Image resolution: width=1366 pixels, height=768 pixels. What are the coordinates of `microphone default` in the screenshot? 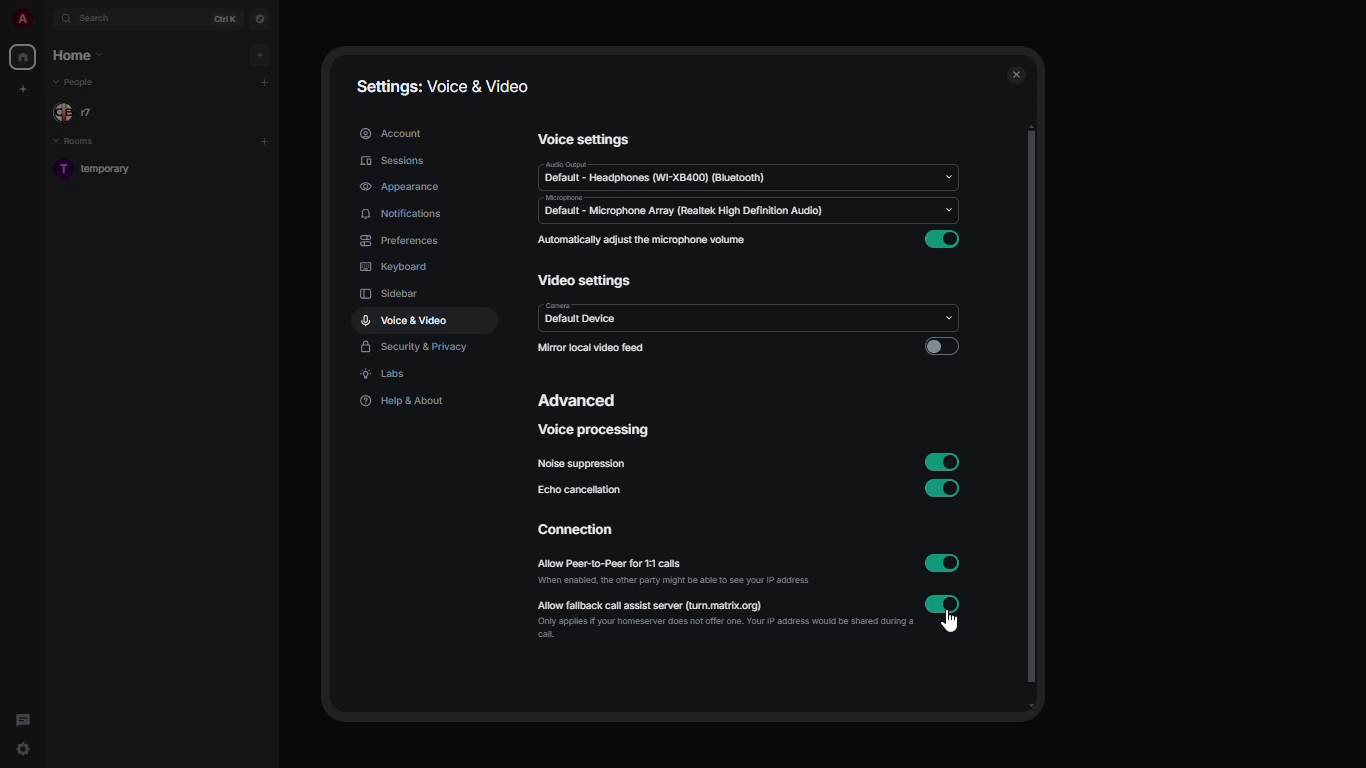 It's located at (682, 206).